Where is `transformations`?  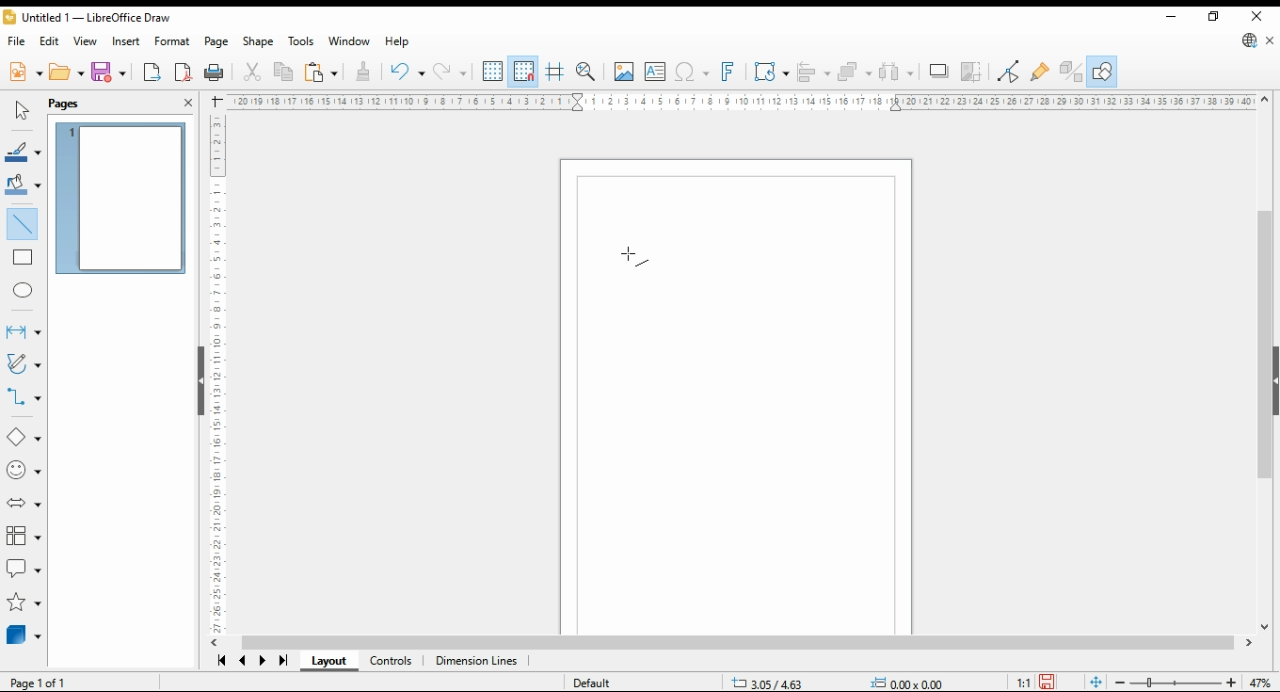
transformations is located at coordinates (772, 72).